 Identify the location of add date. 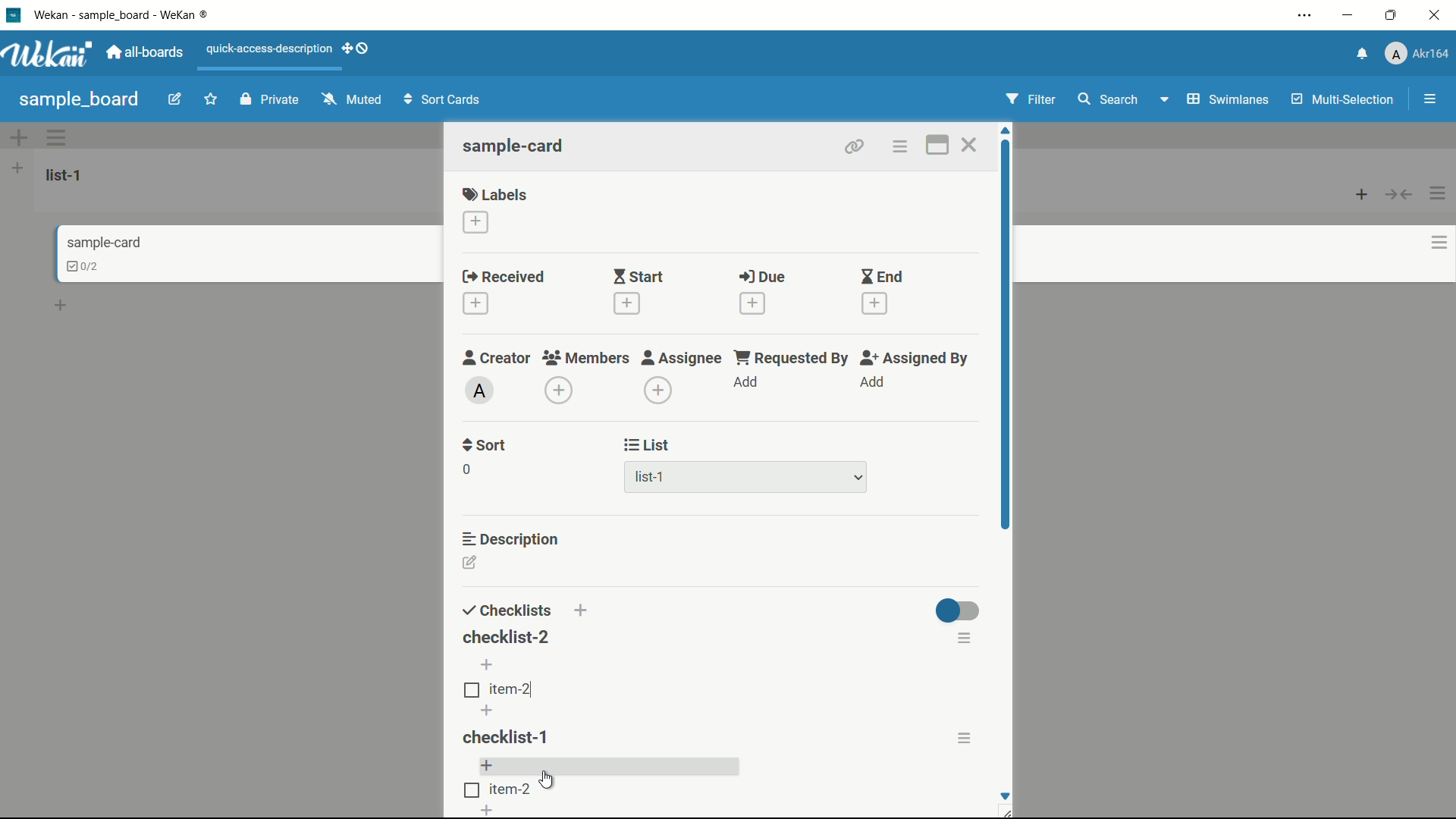
(752, 303).